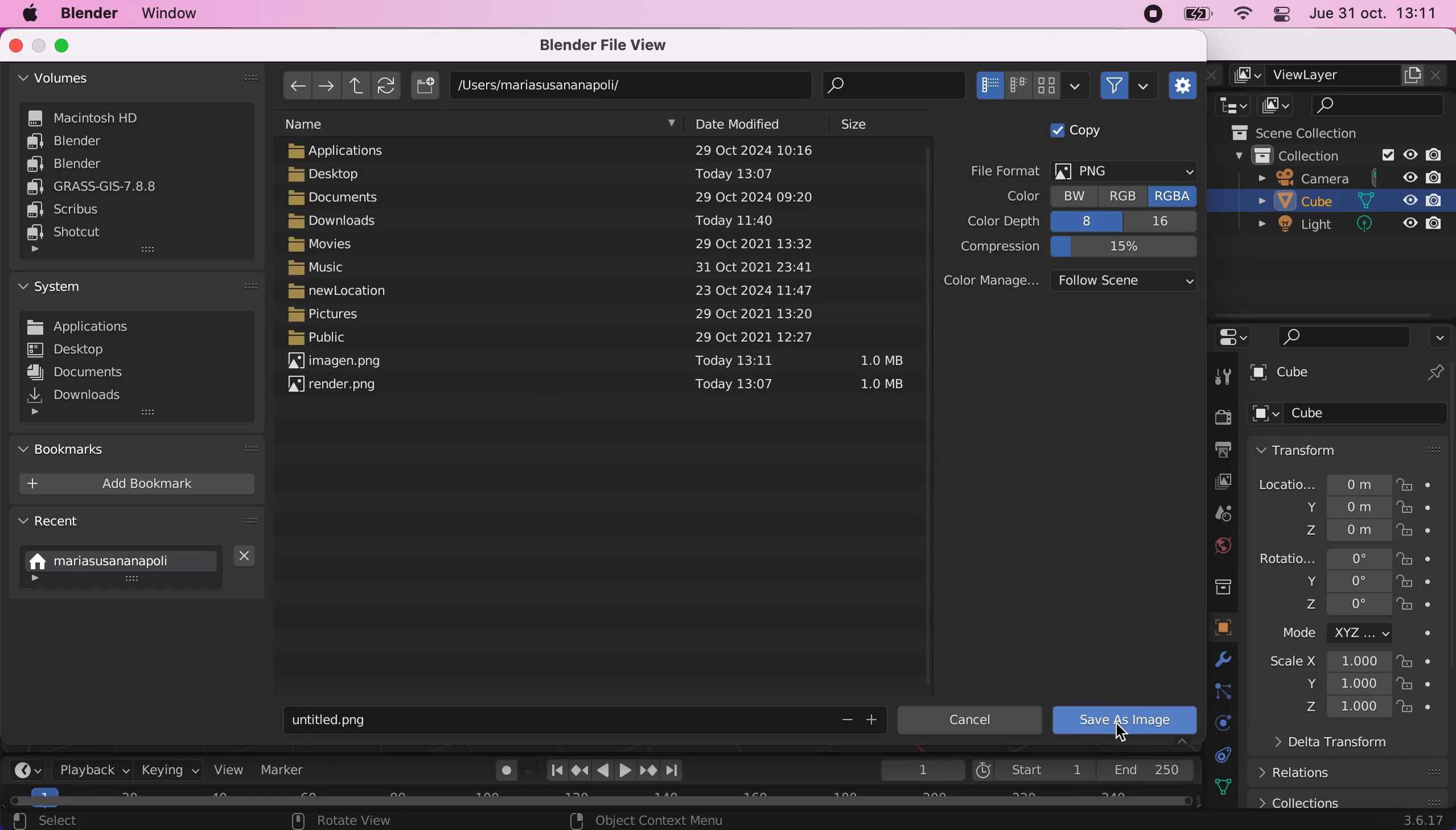 This screenshot has height=830, width=1456. I want to click on light, so click(1341, 227).